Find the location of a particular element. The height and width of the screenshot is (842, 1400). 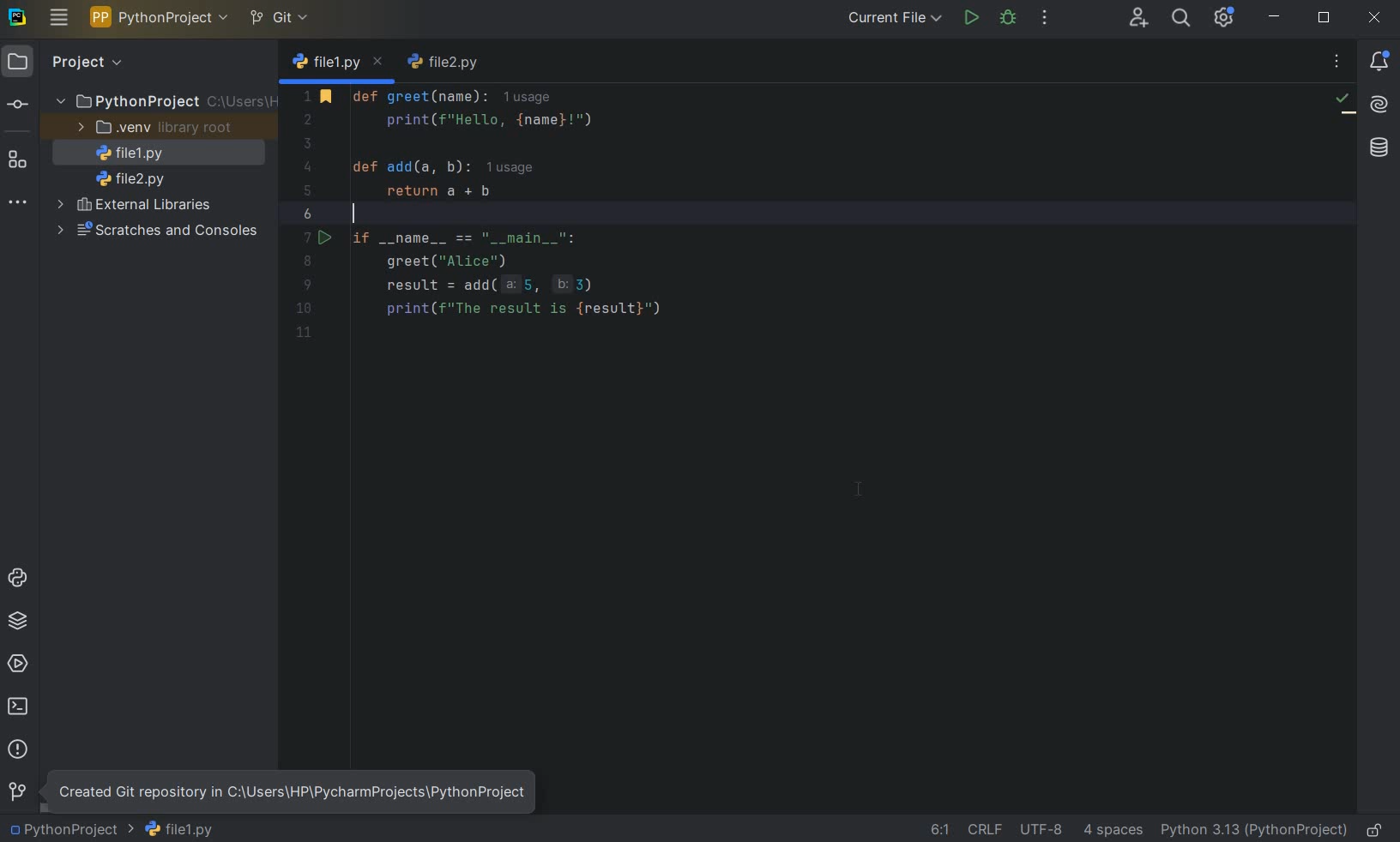

line separator is located at coordinates (986, 827).